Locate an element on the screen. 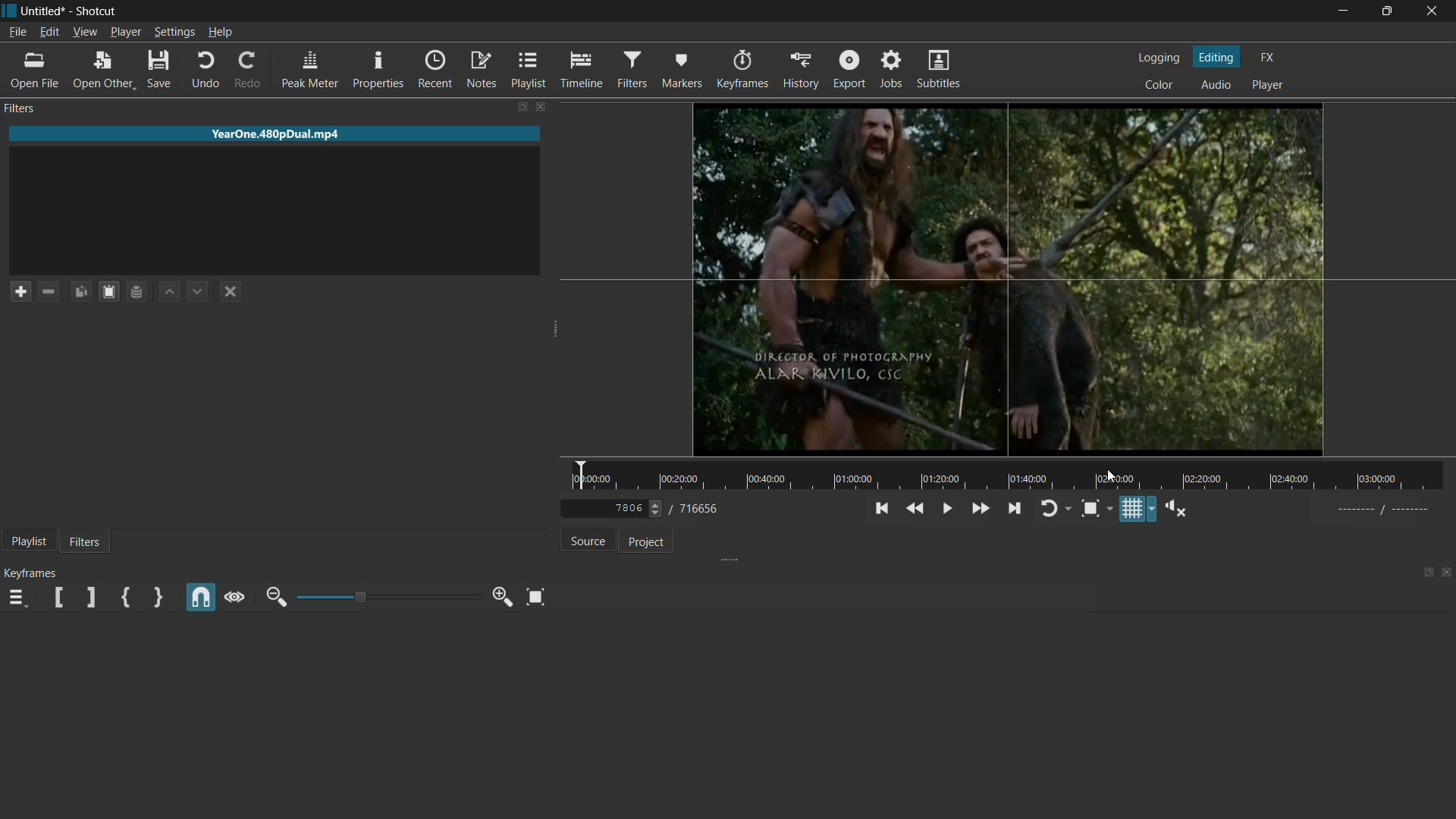 This screenshot has height=819, width=1456. scrub while dragging is located at coordinates (236, 597).